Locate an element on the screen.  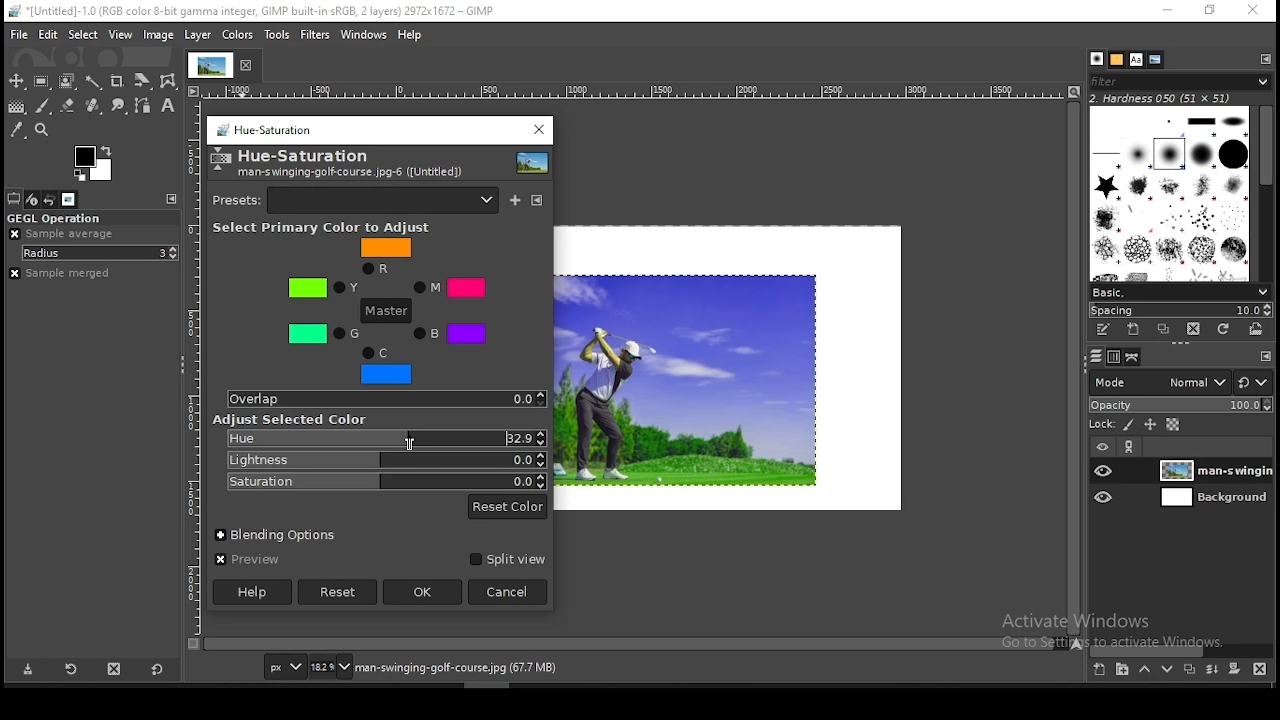
restore is located at coordinates (1212, 12).